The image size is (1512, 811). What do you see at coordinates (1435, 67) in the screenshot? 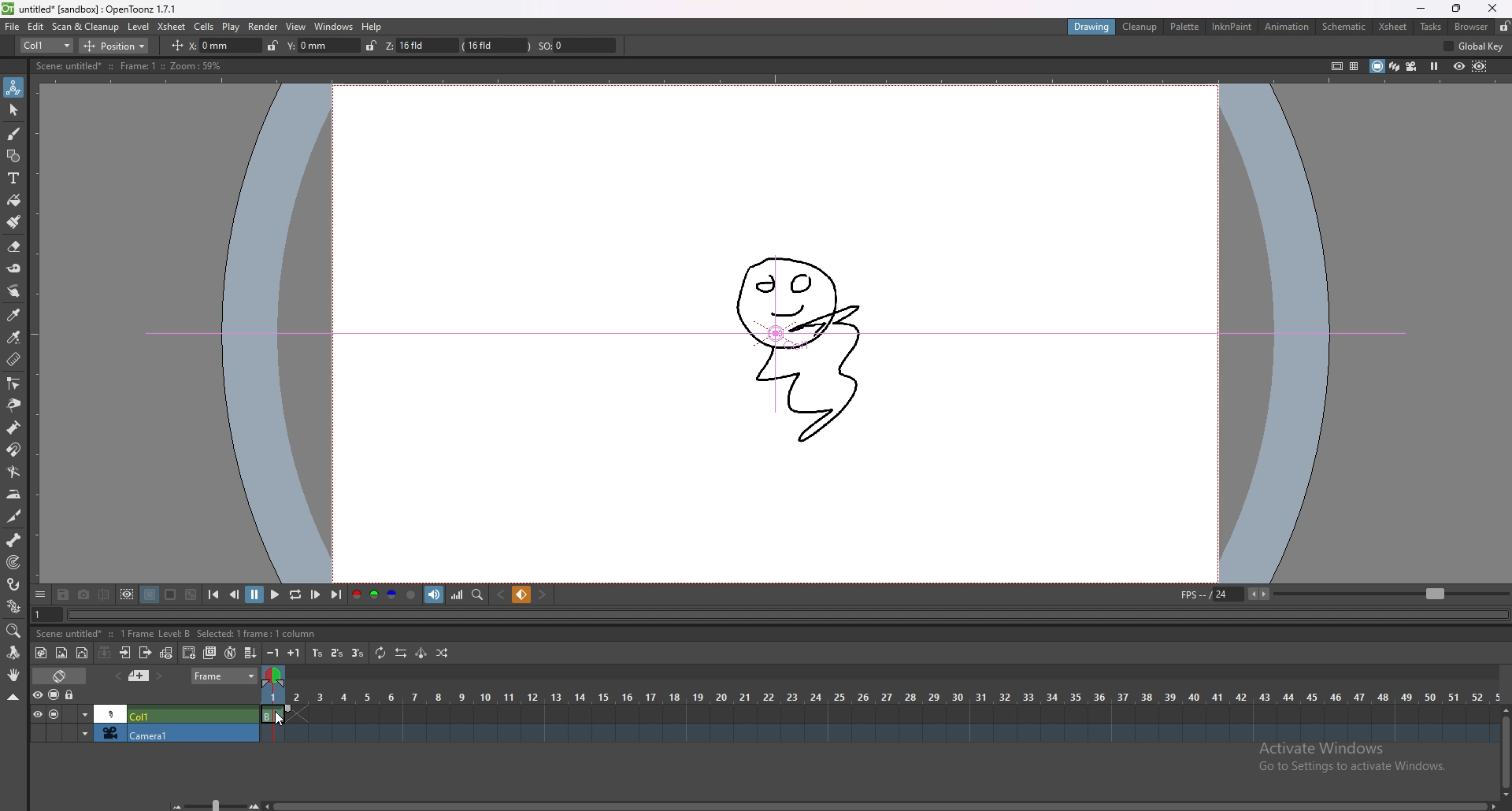
I see `freeze` at bounding box center [1435, 67].